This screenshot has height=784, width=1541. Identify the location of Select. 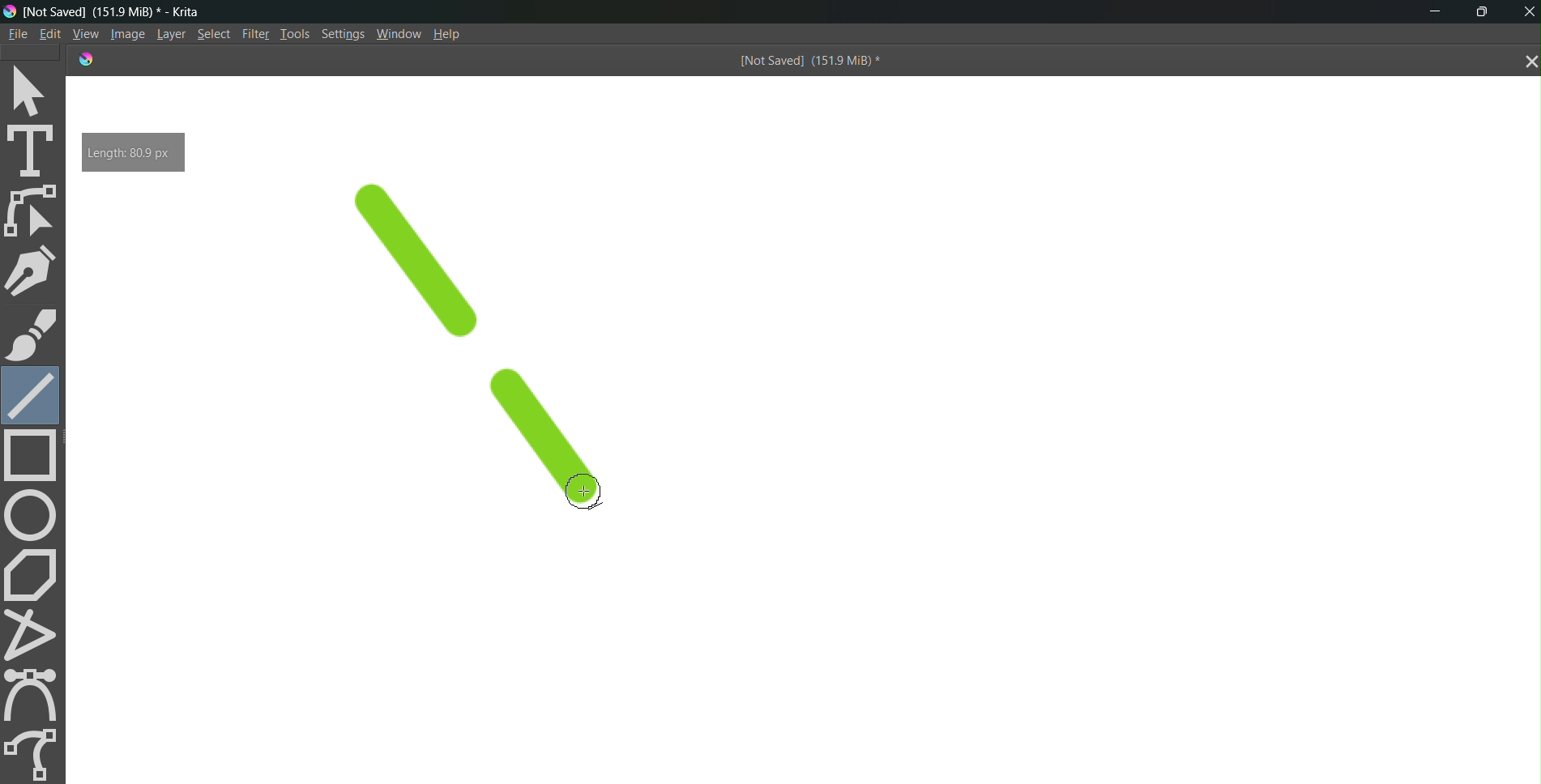
(214, 35).